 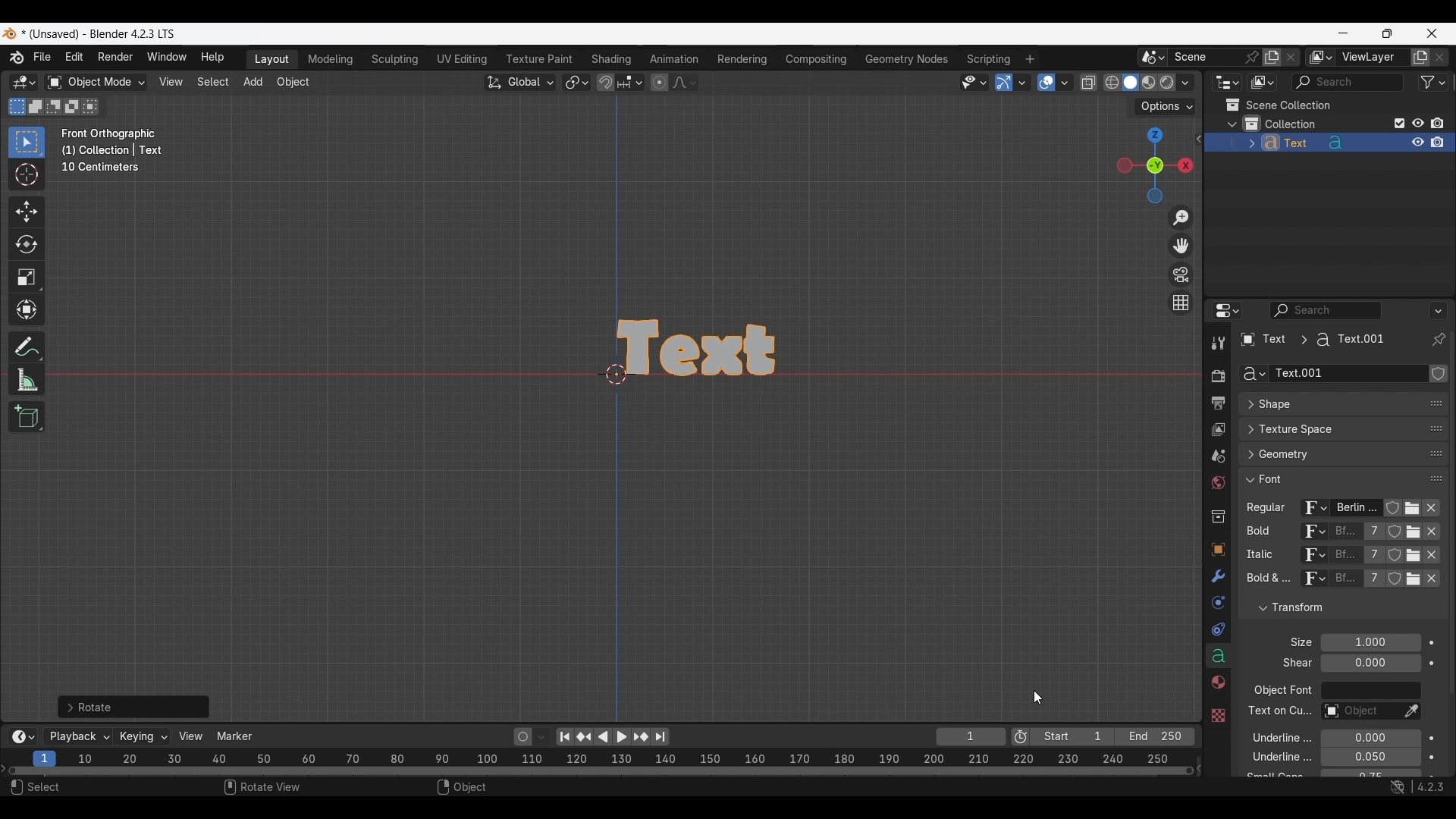 I want to click on Viewport shading, material preview, so click(x=1148, y=82).